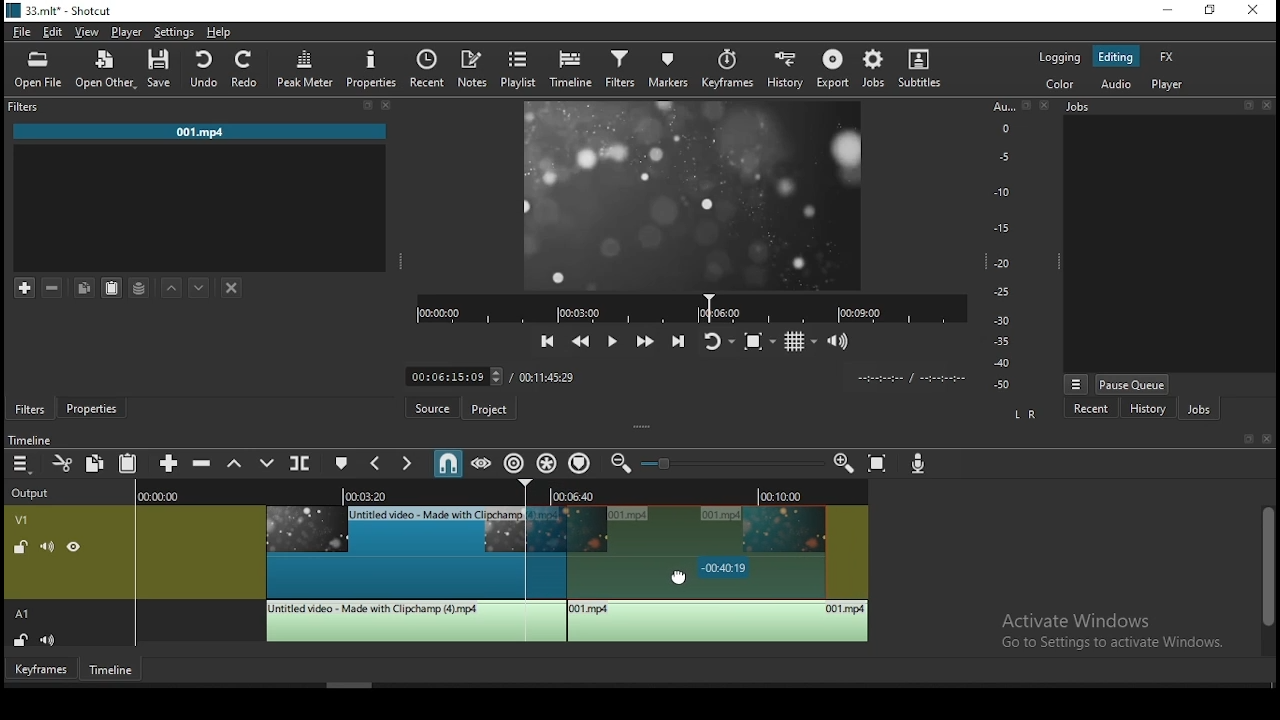 The width and height of the screenshot is (1280, 720). Describe the element at coordinates (23, 640) in the screenshot. I see `(un)lock` at that location.